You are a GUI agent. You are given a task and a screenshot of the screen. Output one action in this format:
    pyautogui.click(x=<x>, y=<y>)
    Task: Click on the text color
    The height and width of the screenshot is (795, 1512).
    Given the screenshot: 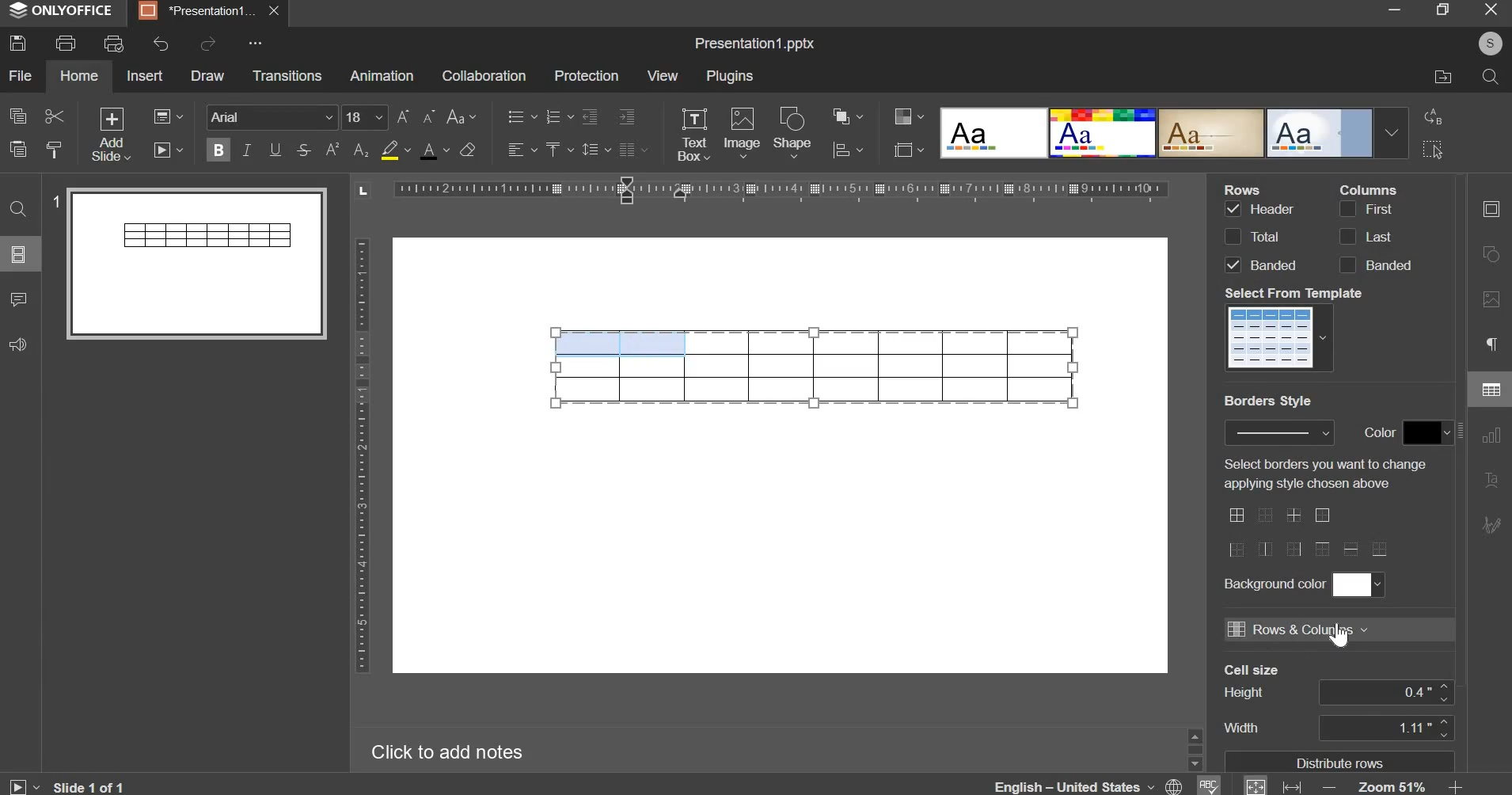 What is the action you would take?
    pyautogui.click(x=434, y=150)
    